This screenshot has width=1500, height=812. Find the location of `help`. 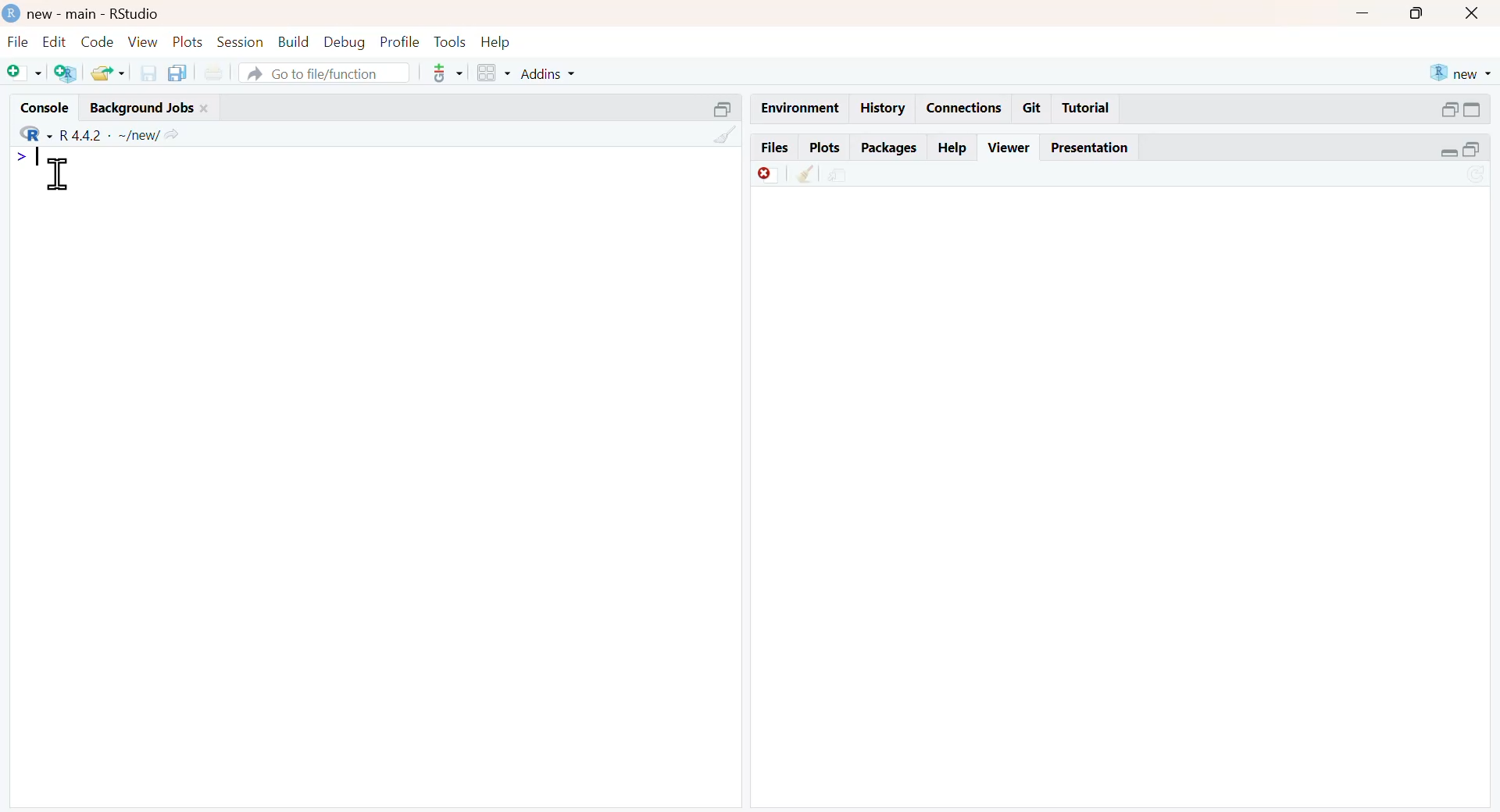

help is located at coordinates (496, 41).